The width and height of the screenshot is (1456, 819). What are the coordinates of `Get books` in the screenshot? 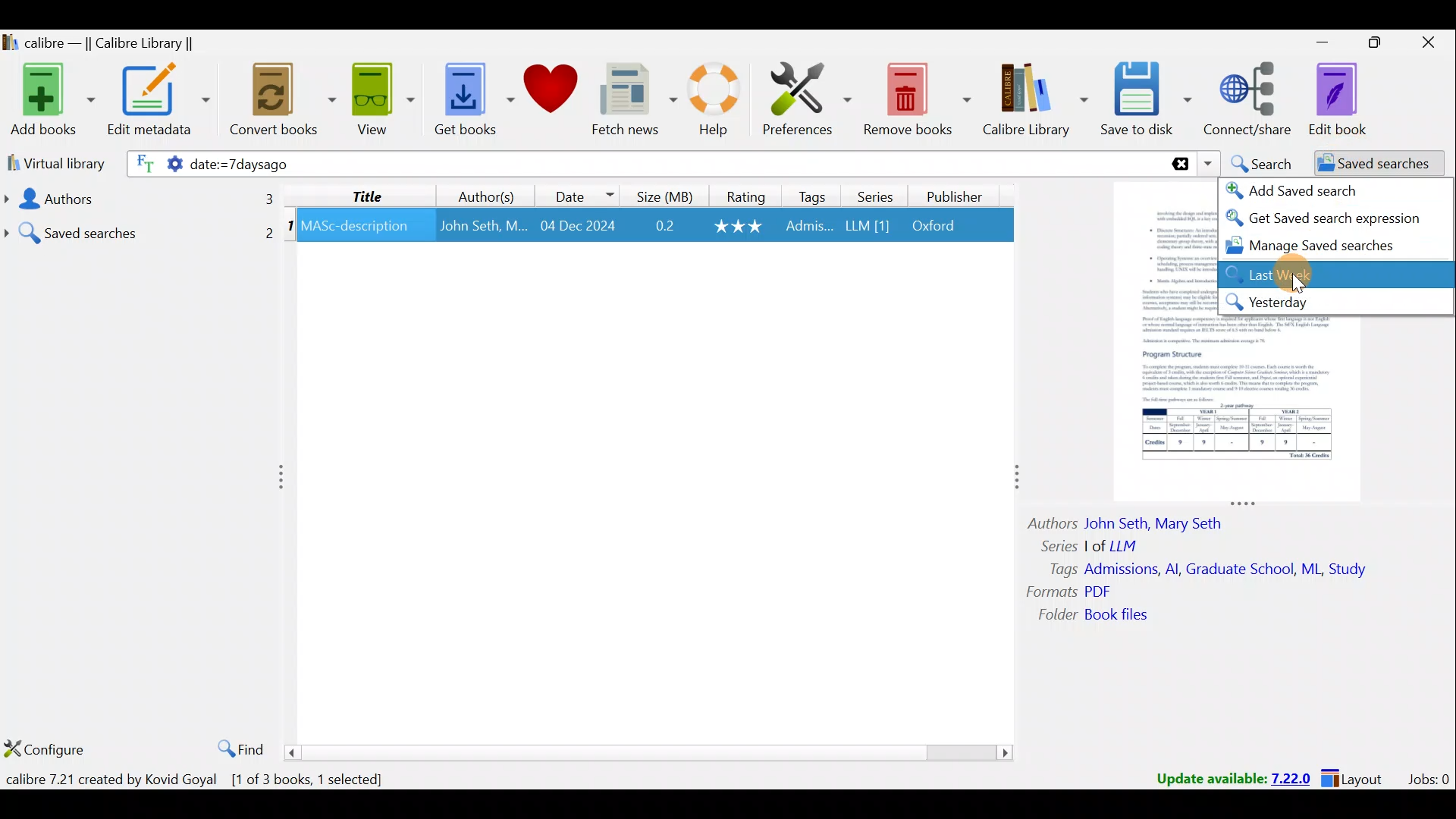 It's located at (468, 97).